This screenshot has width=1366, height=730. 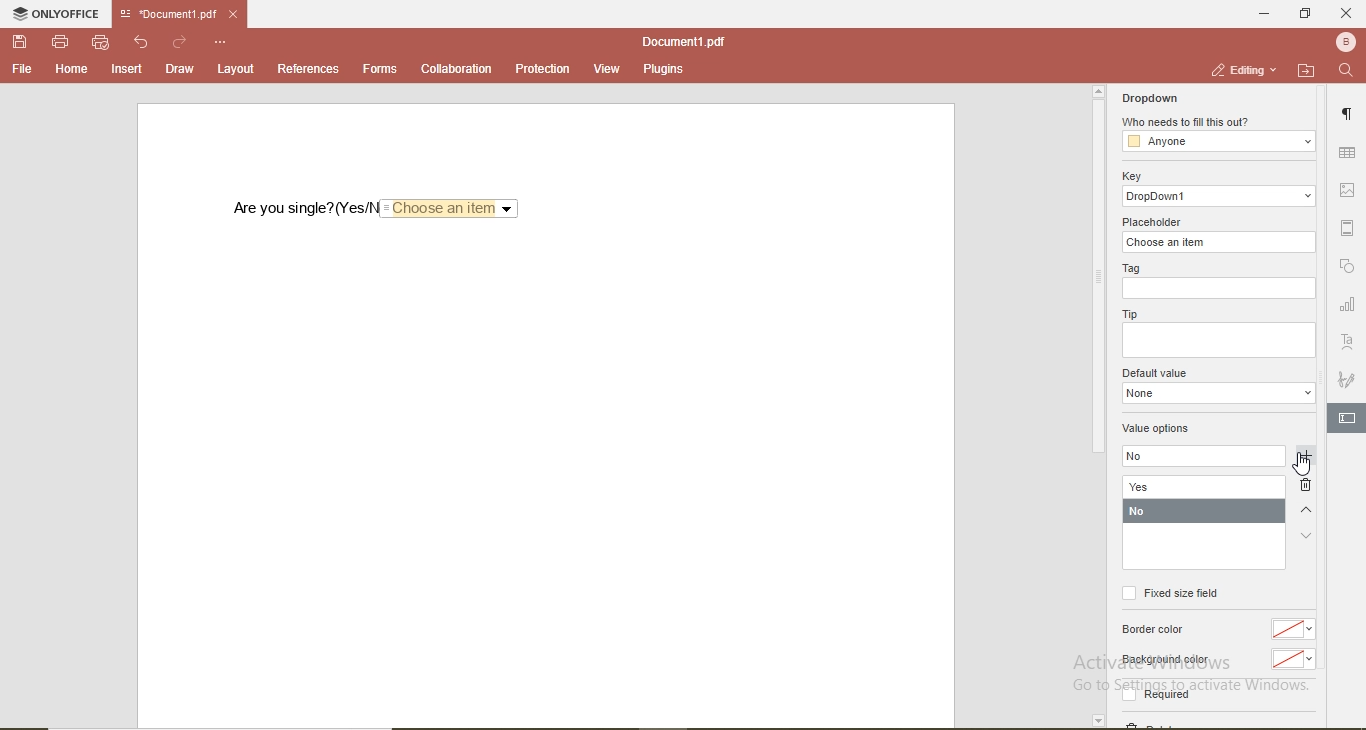 What do you see at coordinates (1347, 43) in the screenshot?
I see `profile` at bounding box center [1347, 43].